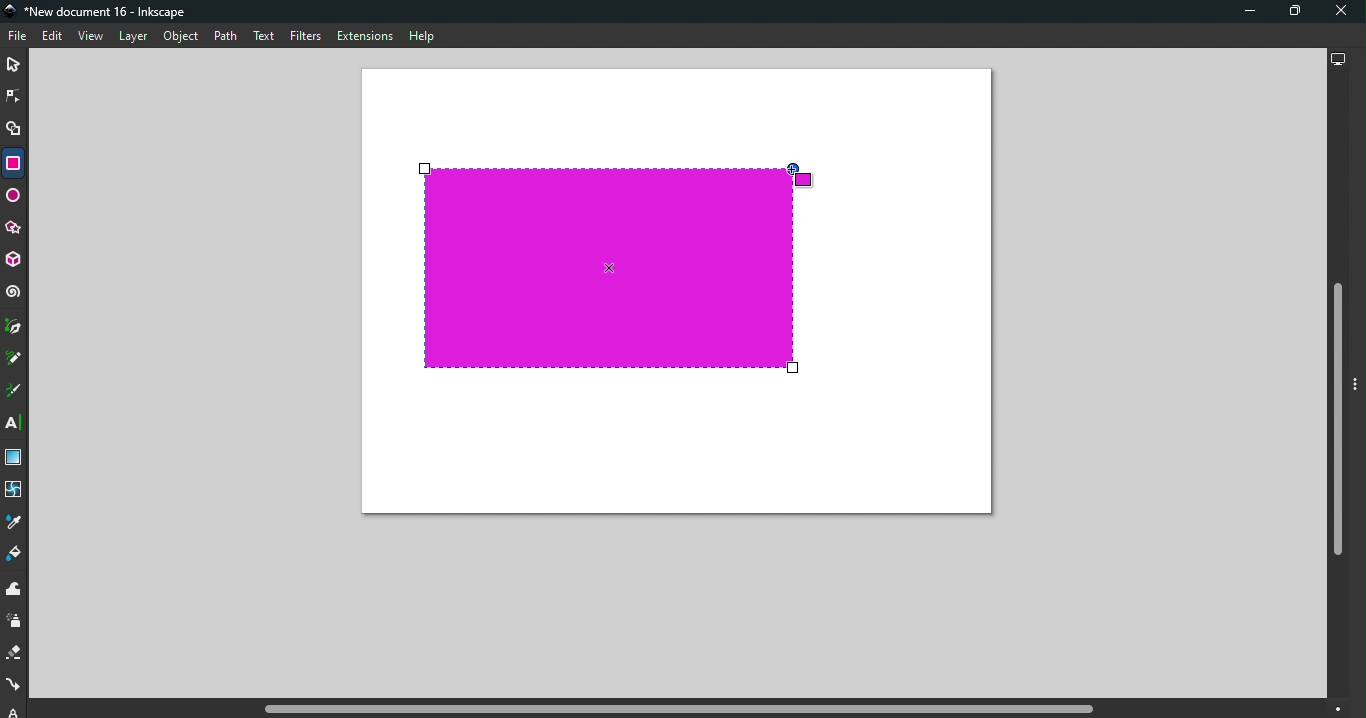 This screenshot has width=1366, height=718. I want to click on Paint bucket tool, so click(15, 556).